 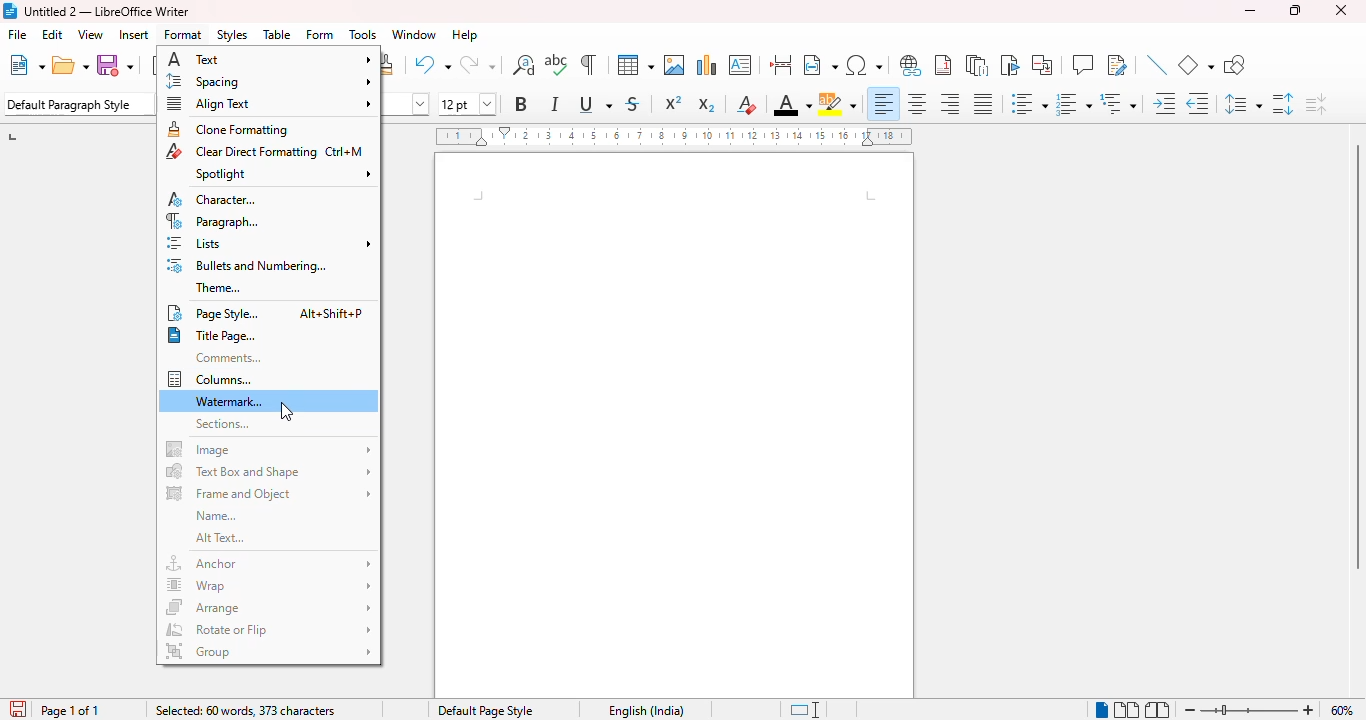 What do you see at coordinates (780, 65) in the screenshot?
I see `insert page break` at bounding box center [780, 65].